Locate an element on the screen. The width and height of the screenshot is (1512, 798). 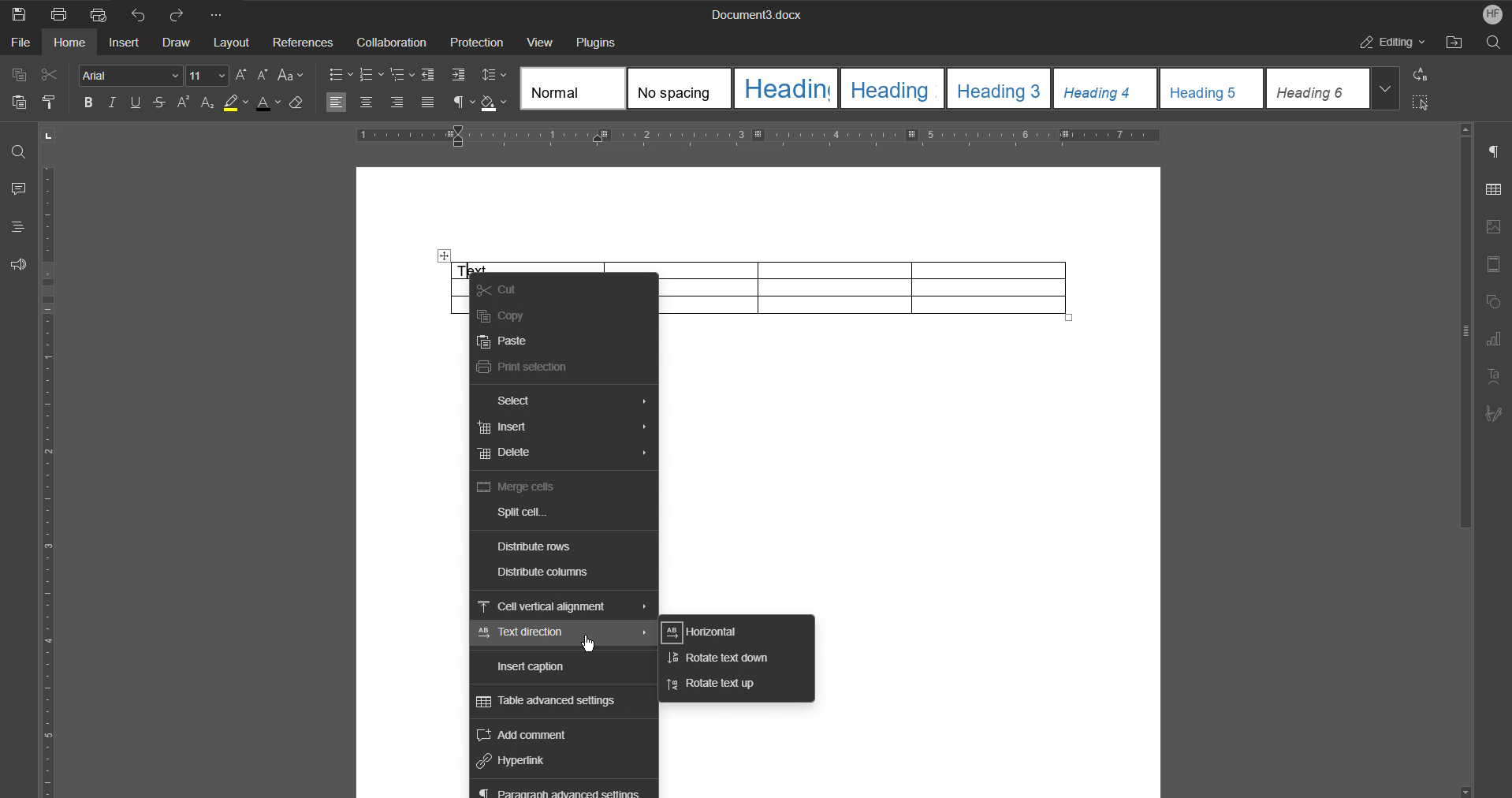
Search is located at coordinates (1494, 43).